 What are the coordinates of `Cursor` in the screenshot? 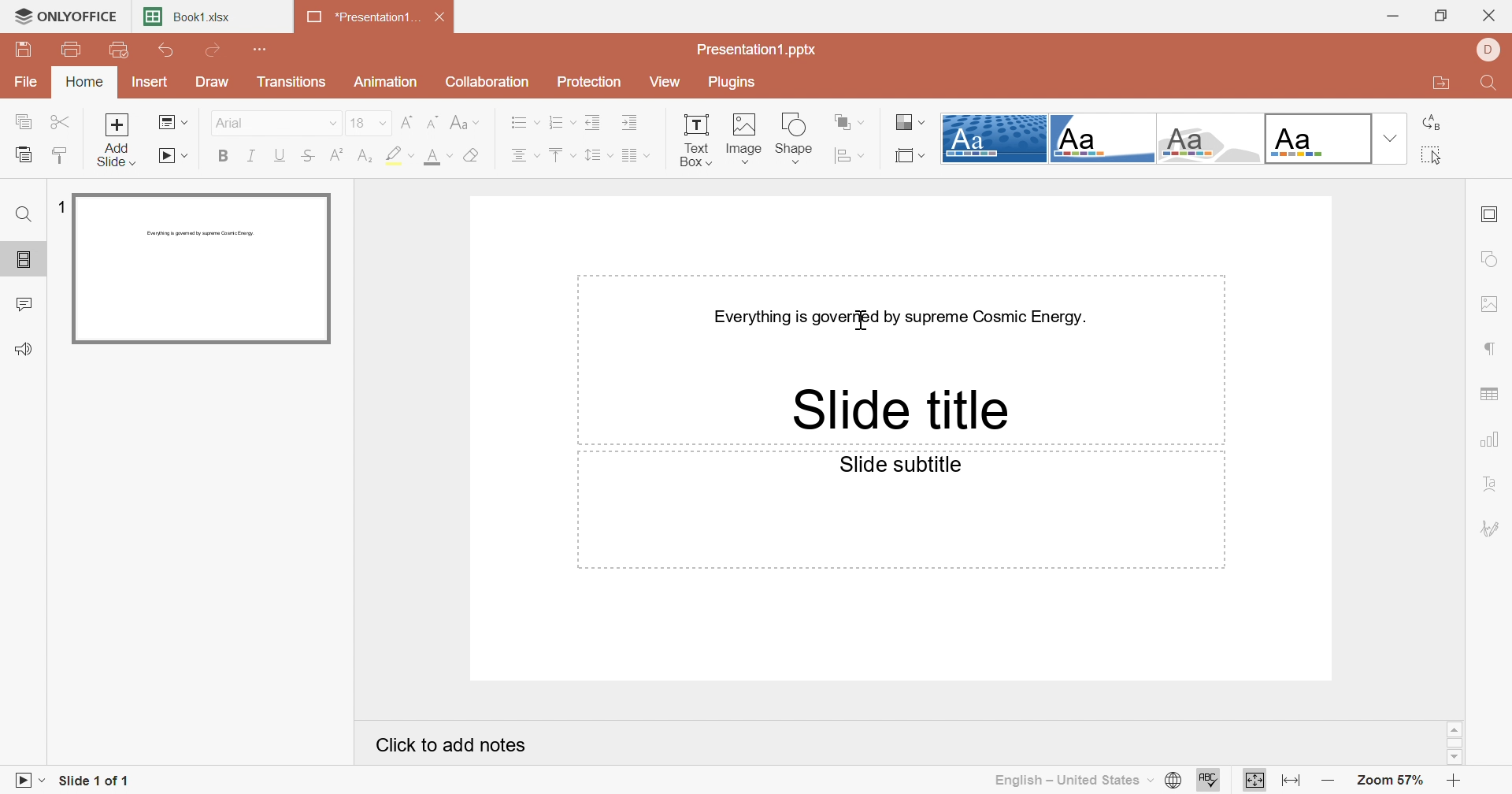 It's located at (860, 320).